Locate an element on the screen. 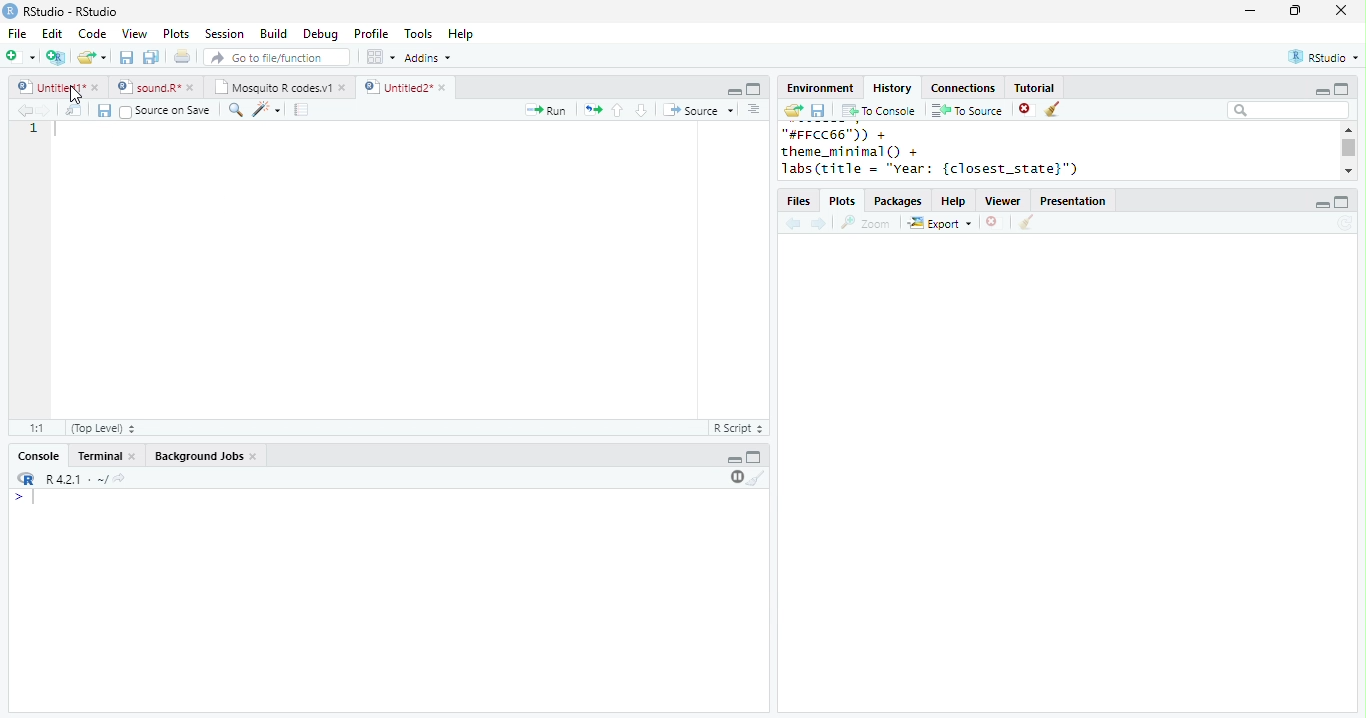 The width and height of the screenshot is (1366, 718). search bar is located at coordinates (1288, 109).